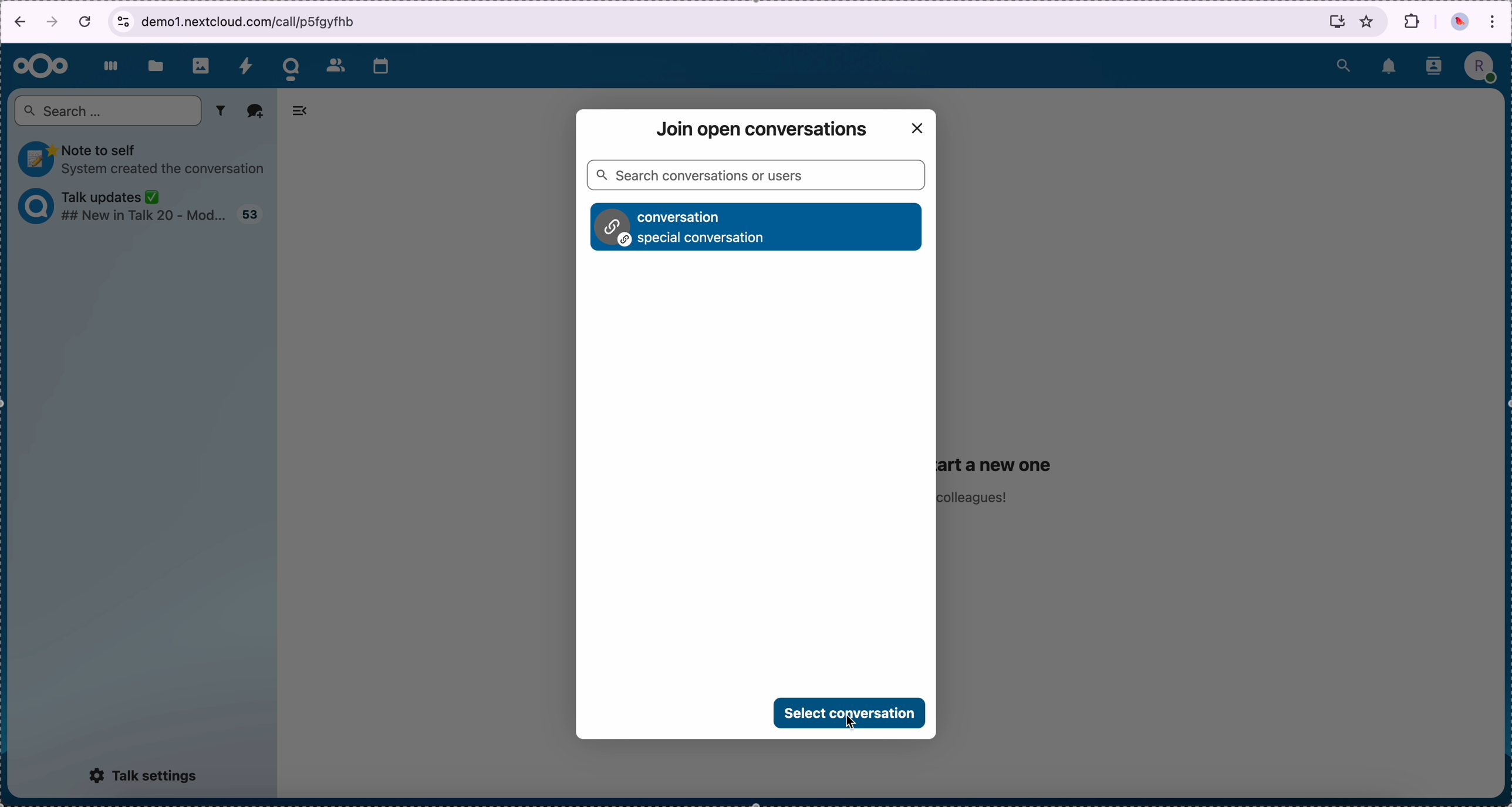 This screenshot has height=807, width=1512. I want to click on talk updates, so click(247, 214).